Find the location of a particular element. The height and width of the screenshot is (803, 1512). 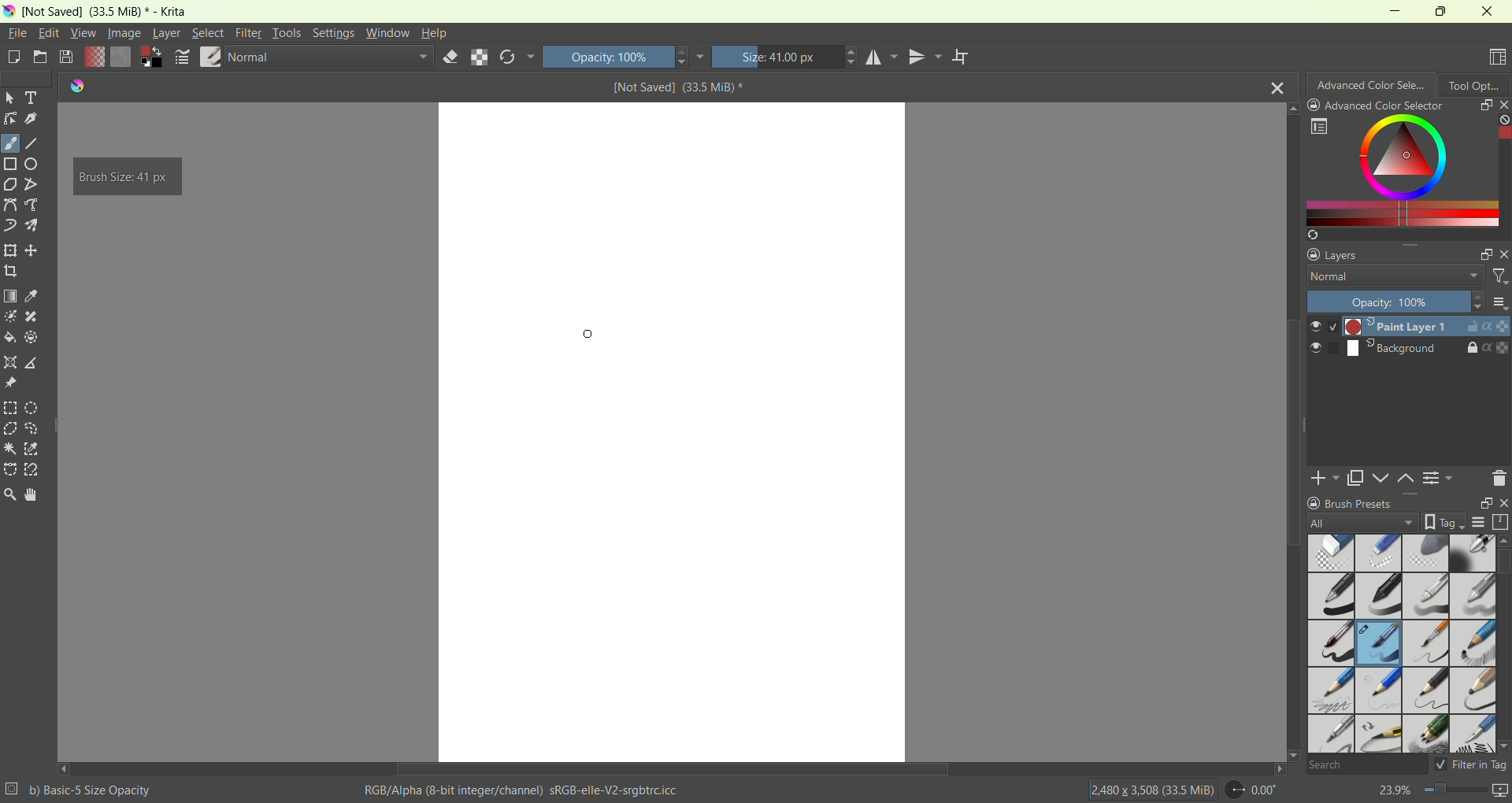

horizontal mirror tool is located at coordinates (884, 57).